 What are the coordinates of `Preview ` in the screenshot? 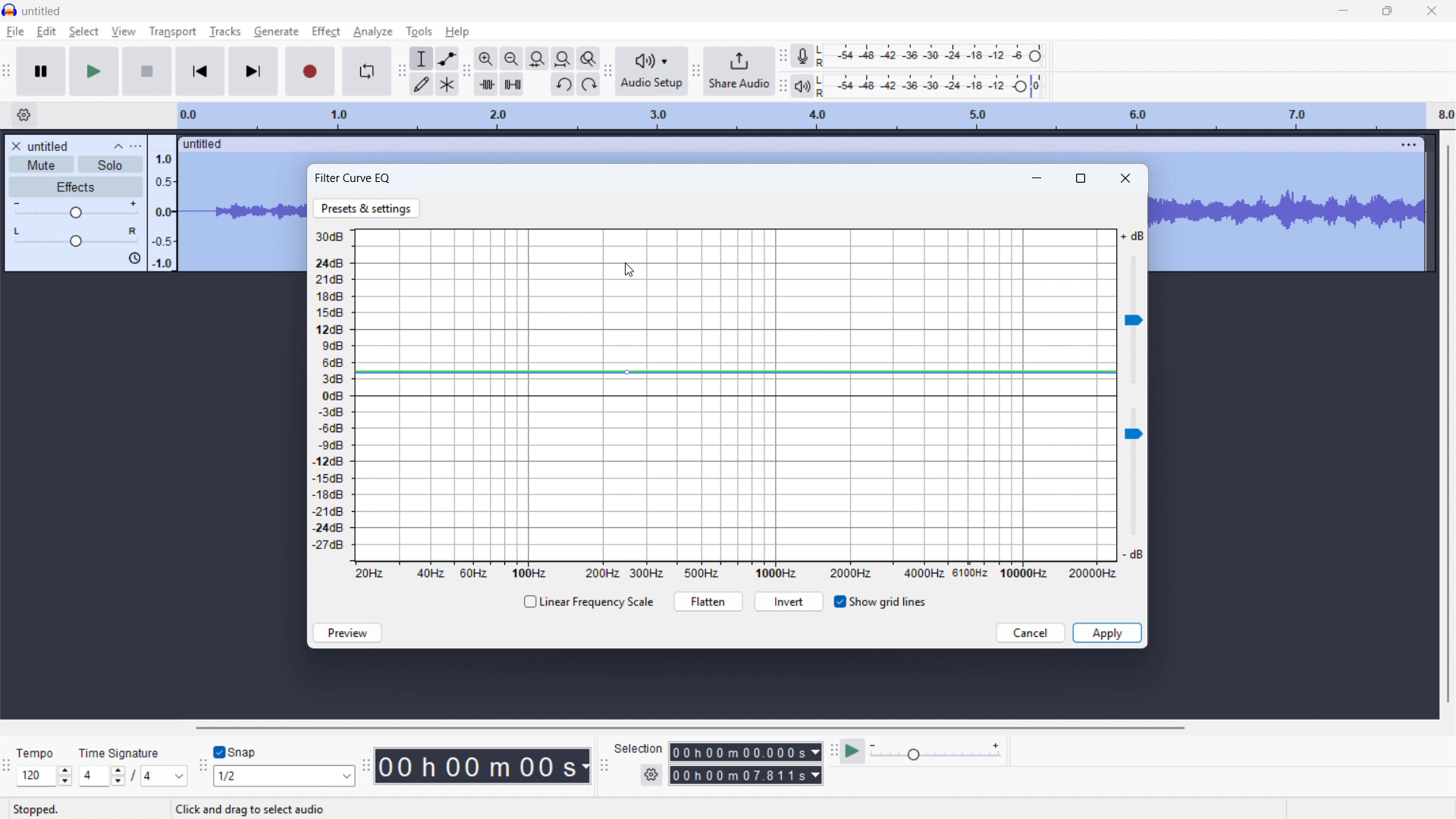 It's located at (346, 632).